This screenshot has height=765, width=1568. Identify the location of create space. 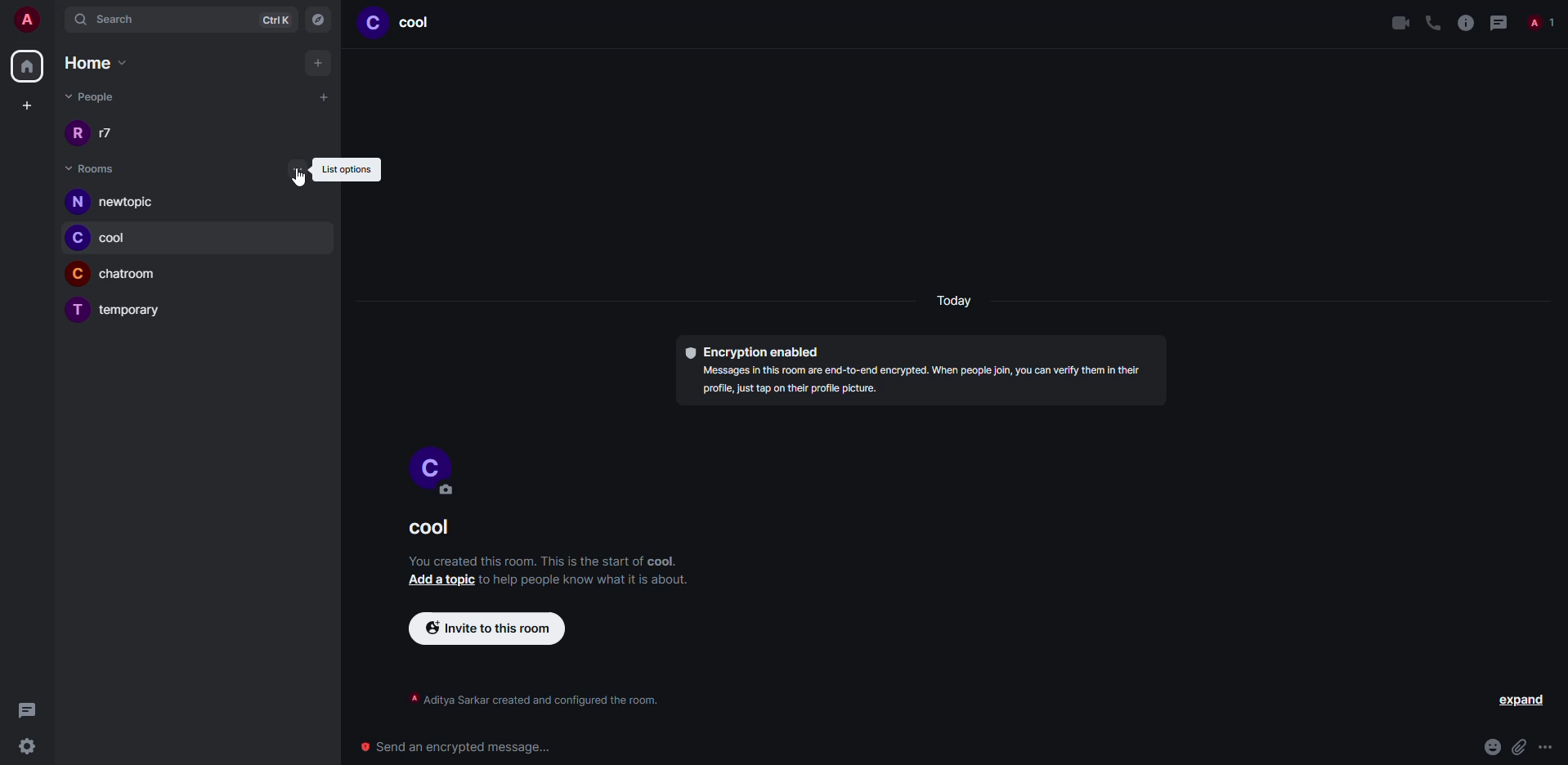
(23, 105).